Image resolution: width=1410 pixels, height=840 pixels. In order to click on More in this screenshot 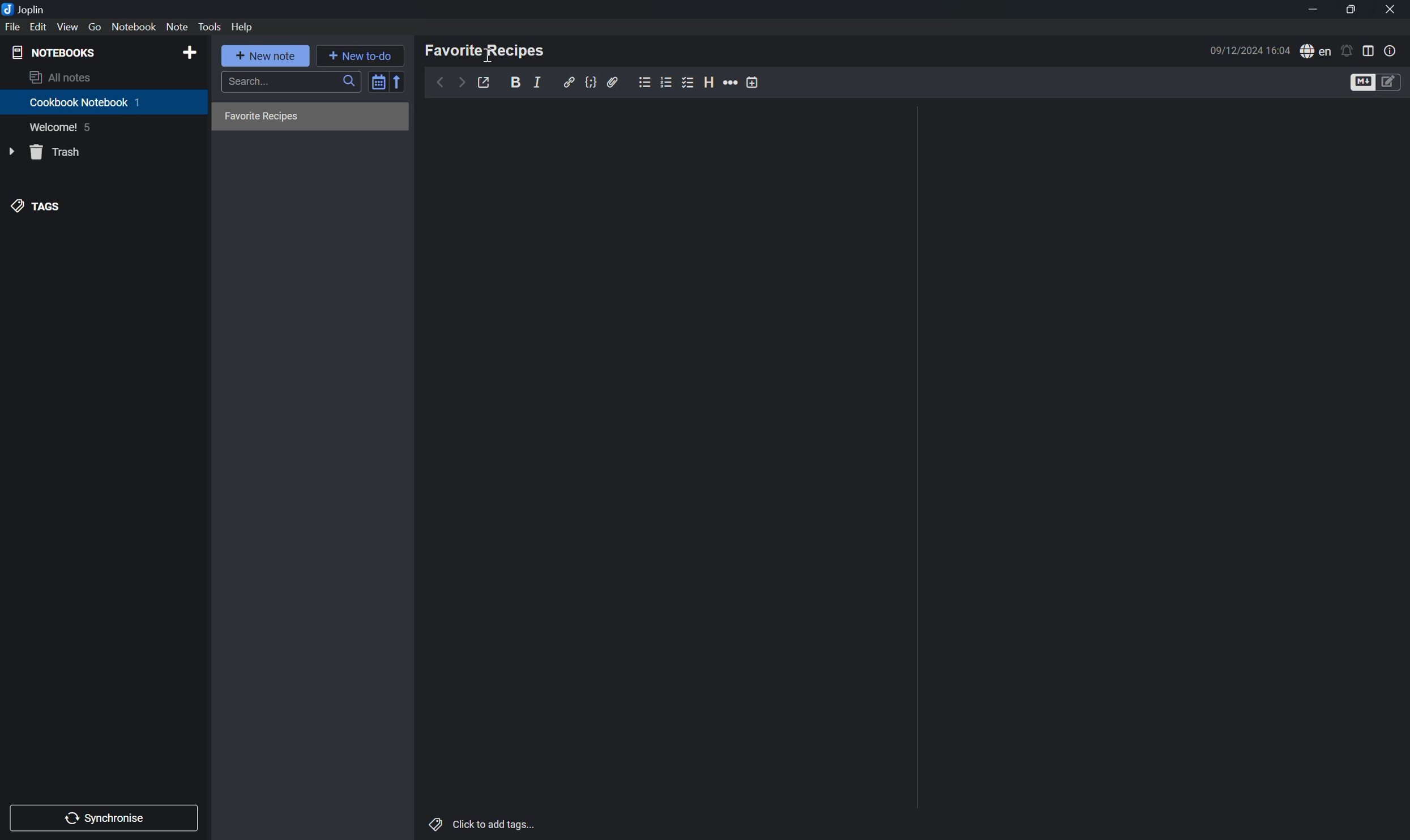, I will do `click(732, 81)`.